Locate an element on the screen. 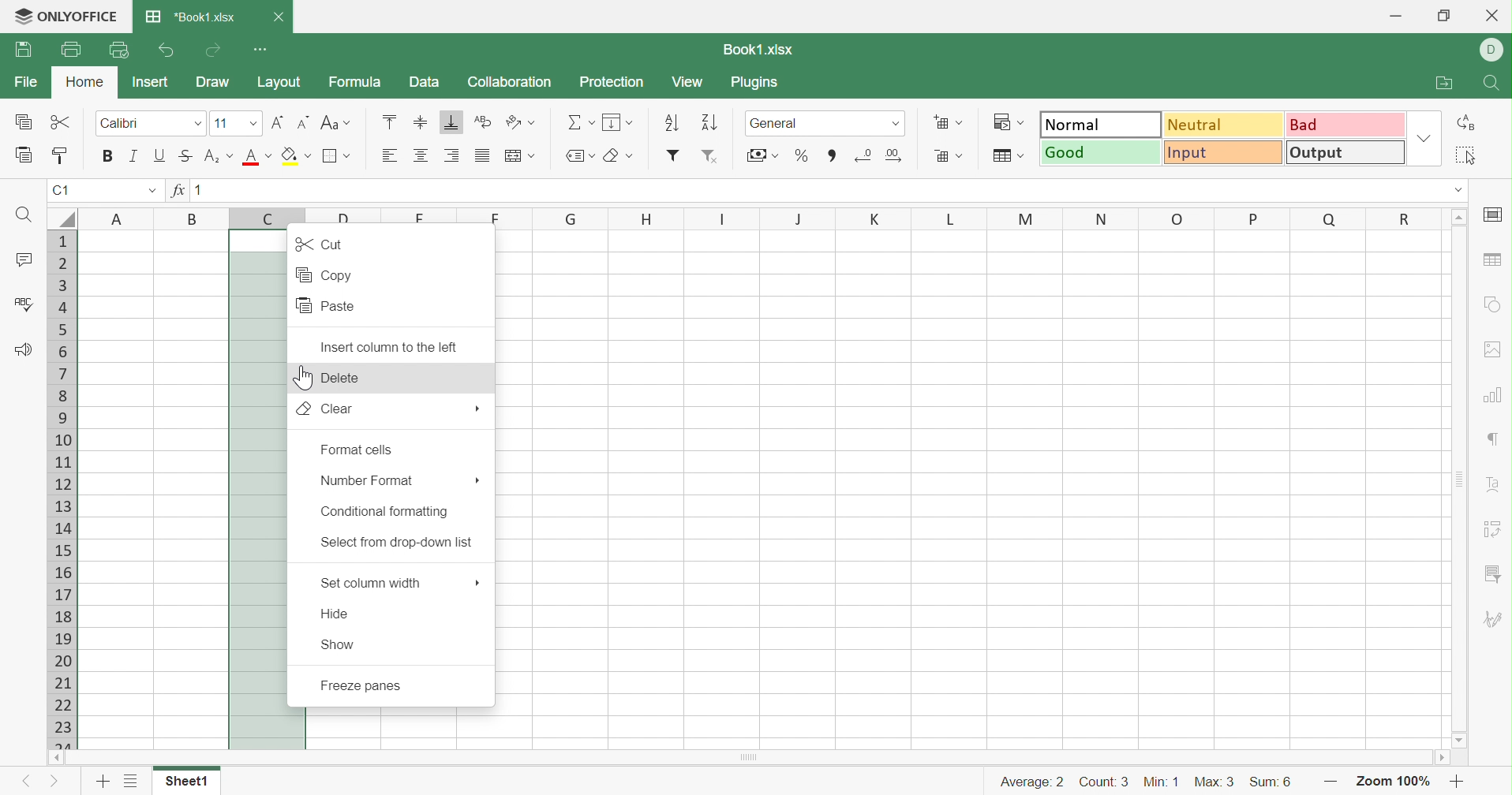 This screenshot has width=1512, height=795. Decrement font size is located at coordinates (304, 121).